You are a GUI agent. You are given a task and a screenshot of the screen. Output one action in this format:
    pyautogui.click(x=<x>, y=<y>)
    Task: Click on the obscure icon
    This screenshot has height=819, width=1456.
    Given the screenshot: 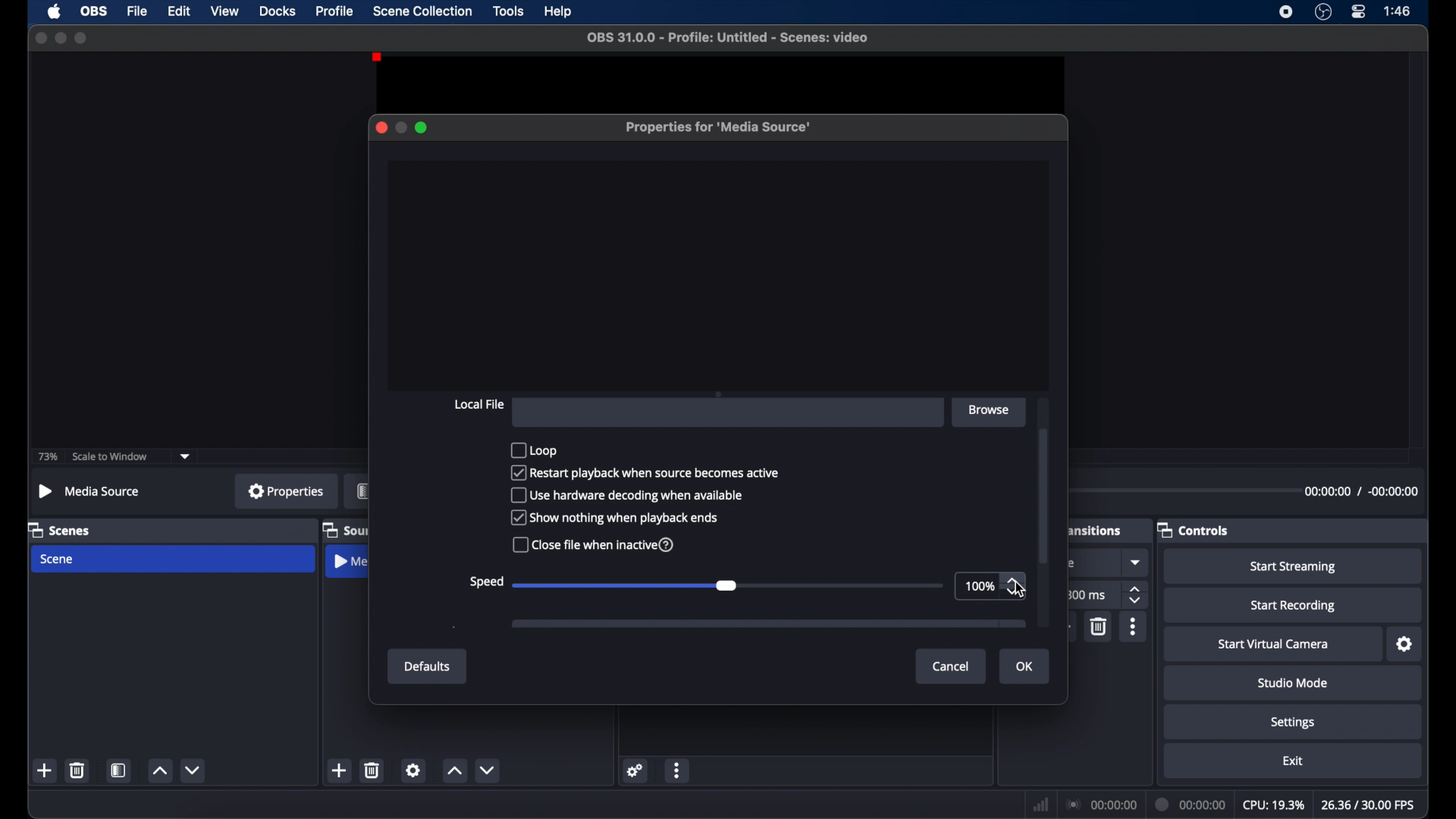 What is the action you would take?
    pyautogui.click(x=768, y=624)
    